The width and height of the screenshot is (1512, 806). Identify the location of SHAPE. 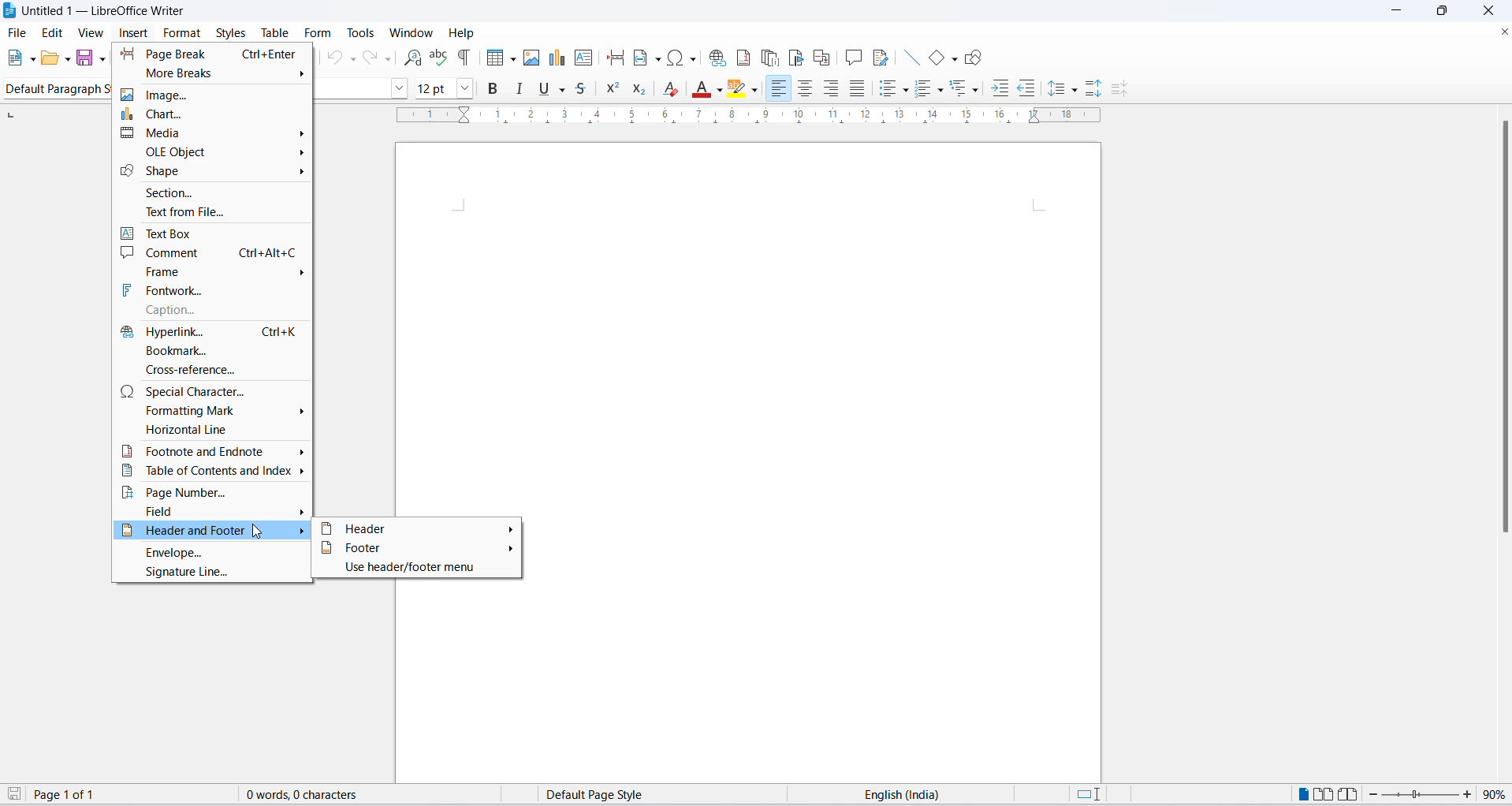
(210, 171).